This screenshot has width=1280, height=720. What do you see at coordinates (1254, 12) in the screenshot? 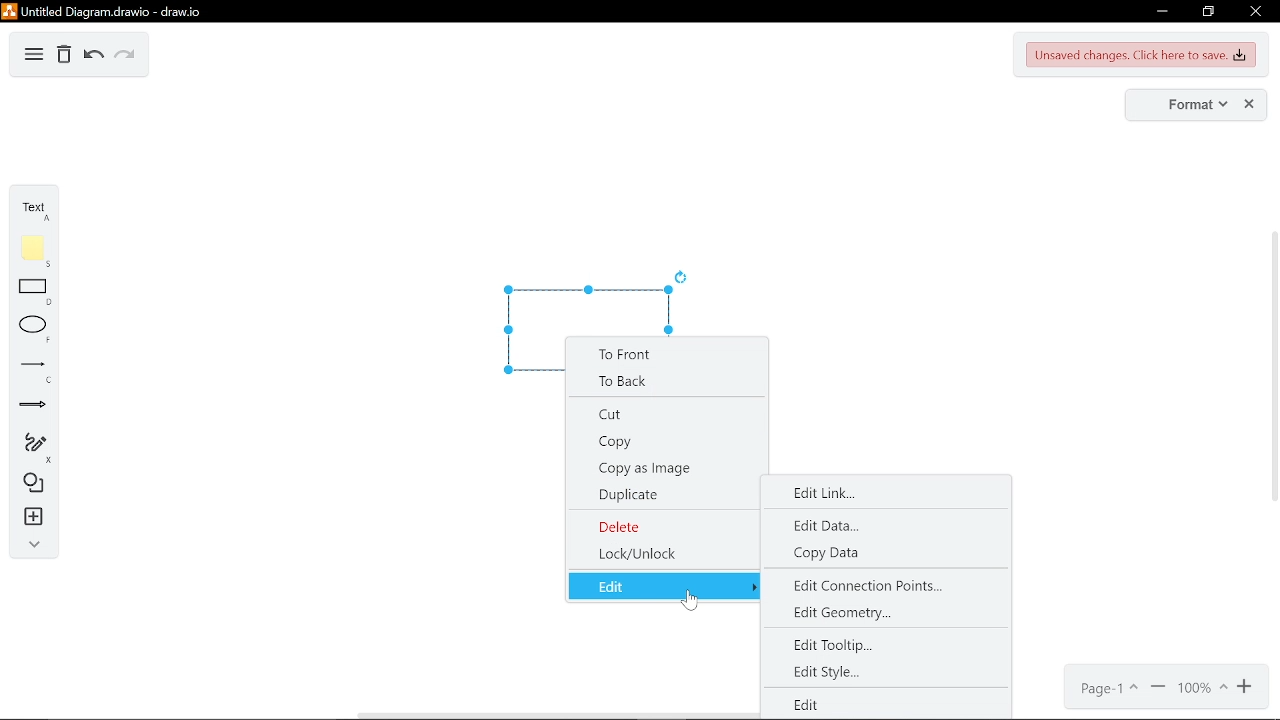
I see `close` at bounding box center [1254, 12].